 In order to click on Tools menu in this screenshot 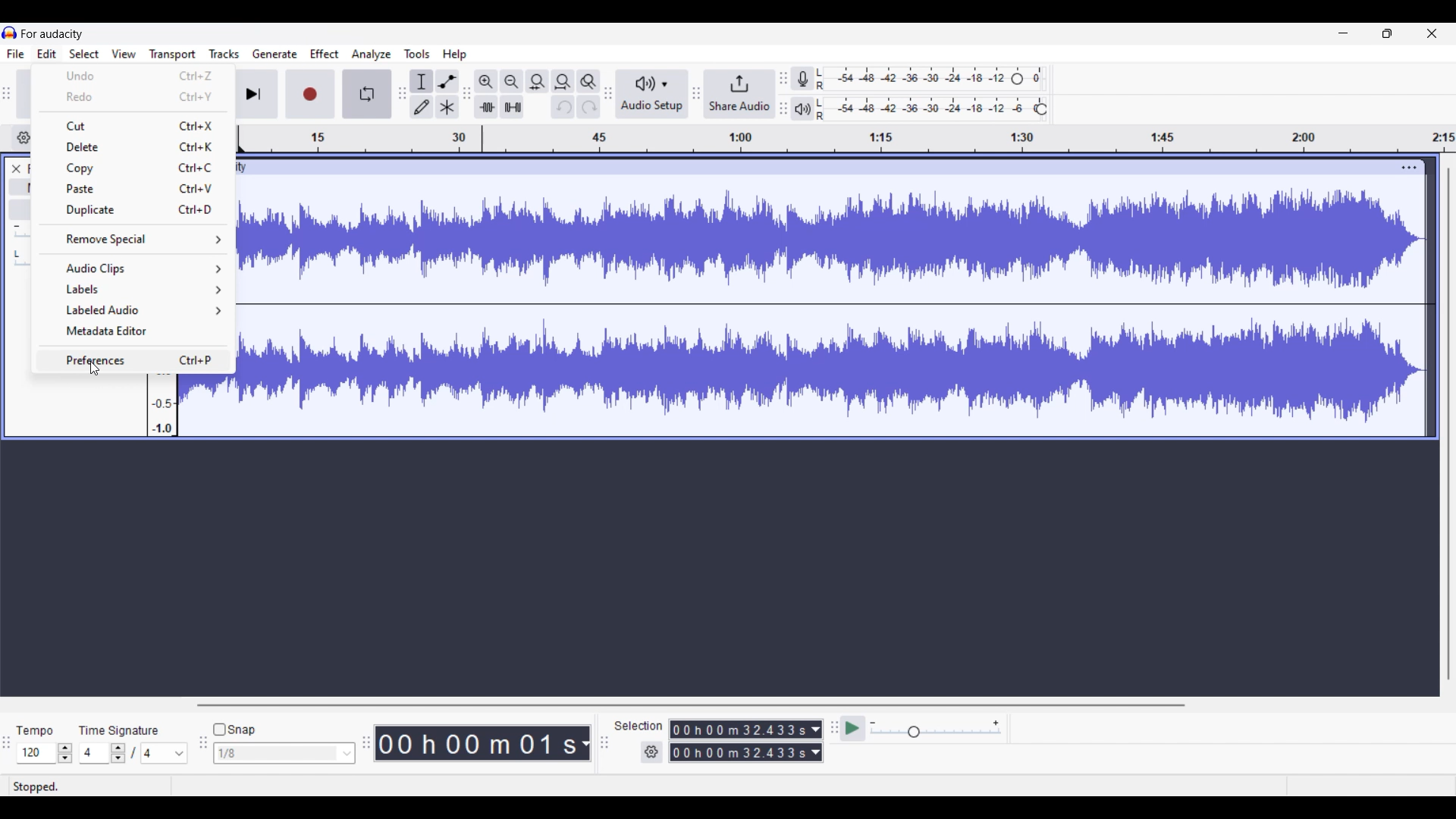, I will do `click(417, 54)`.